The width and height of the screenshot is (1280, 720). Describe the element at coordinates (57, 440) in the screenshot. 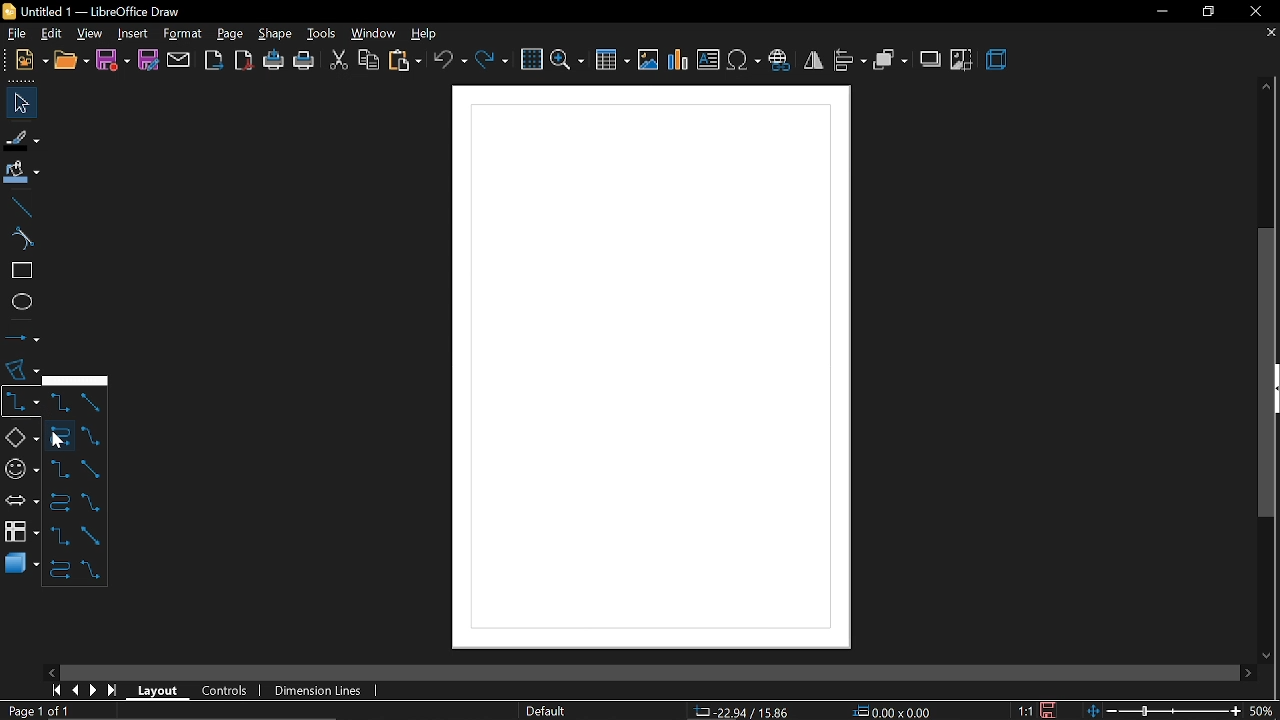

I see `Cursor` at that location.